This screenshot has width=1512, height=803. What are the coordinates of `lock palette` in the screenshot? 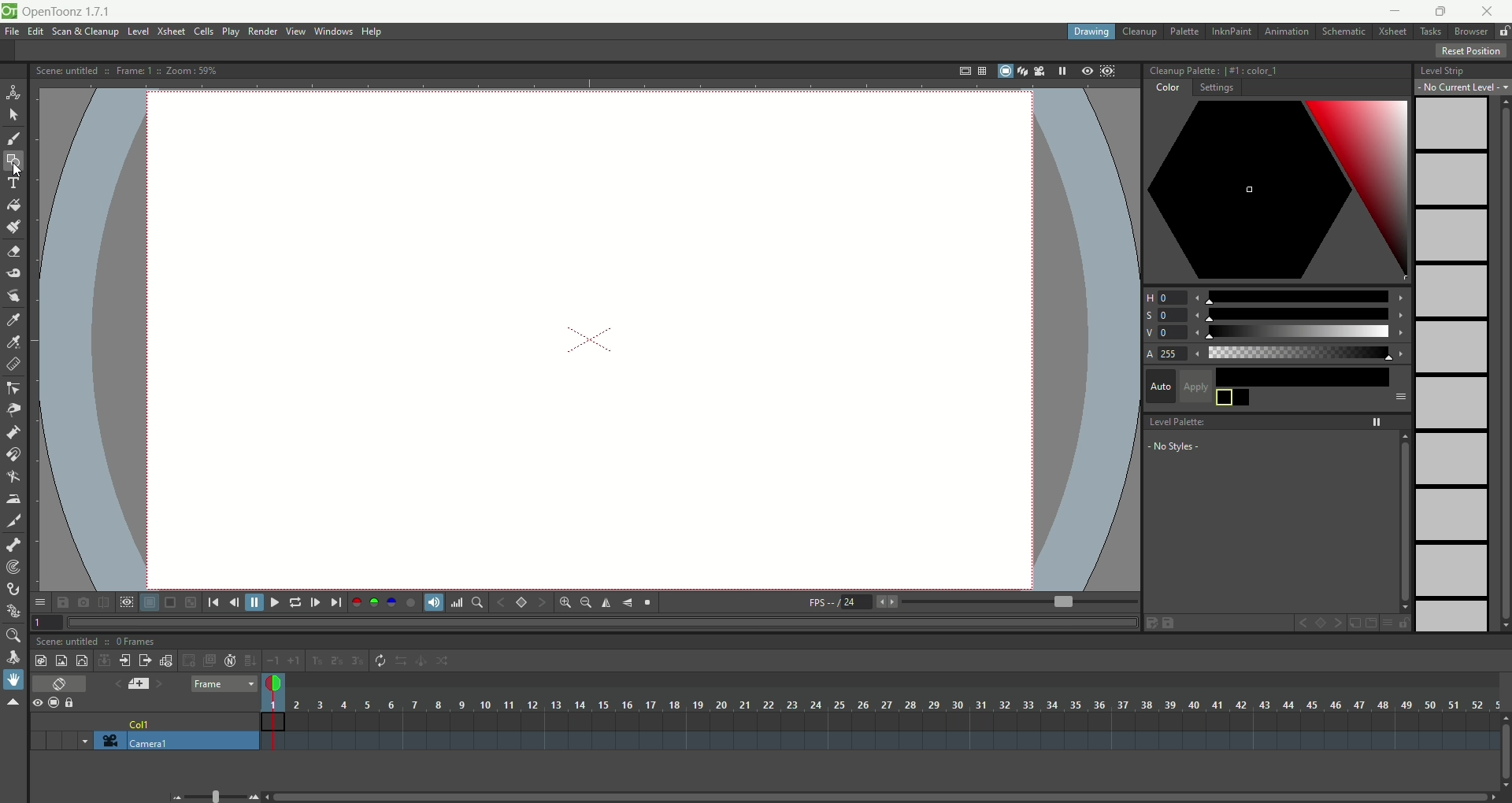 It's located at (1395, 623).